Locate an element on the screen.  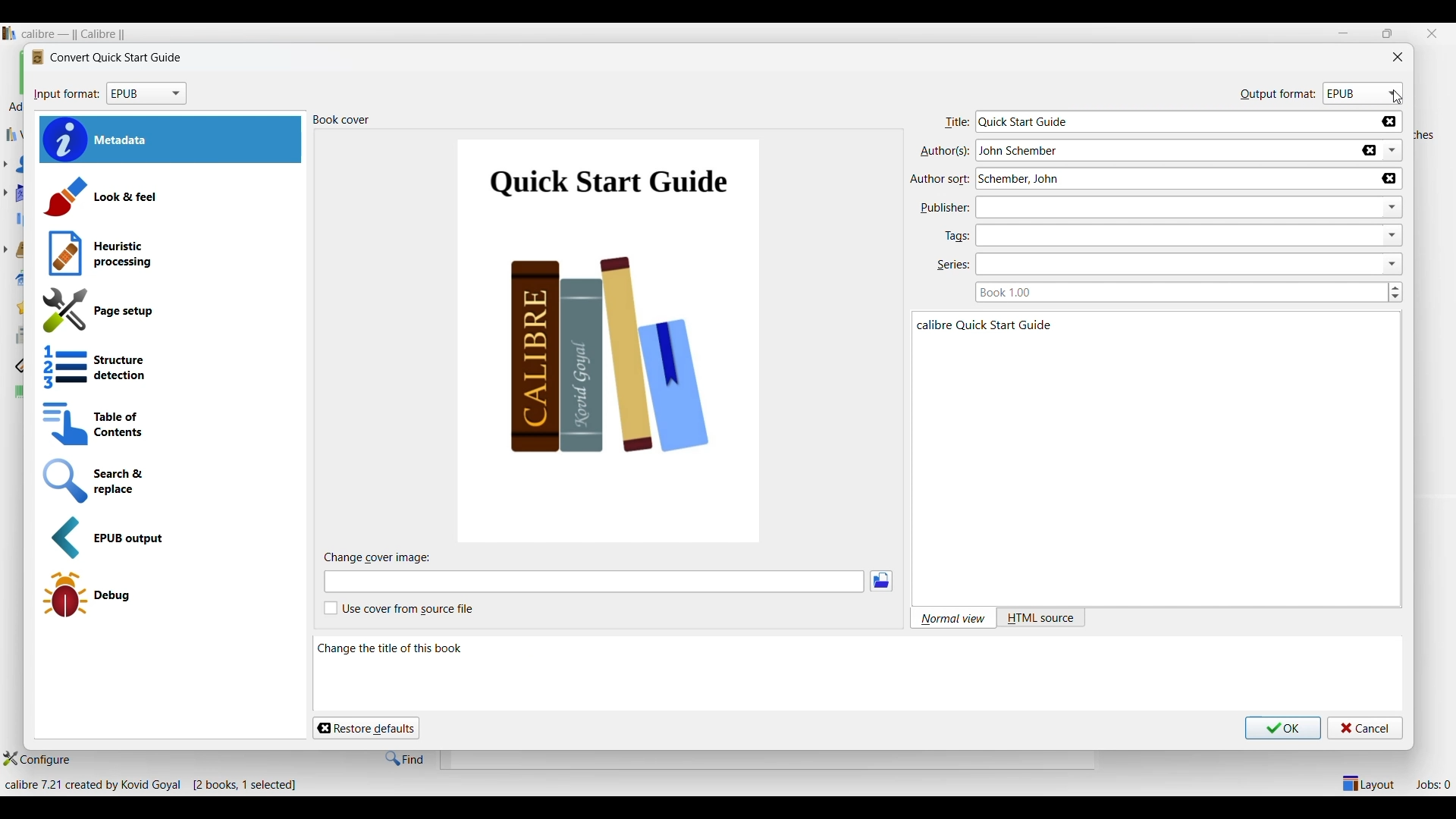
Software name is located at coordinates (78, 34).